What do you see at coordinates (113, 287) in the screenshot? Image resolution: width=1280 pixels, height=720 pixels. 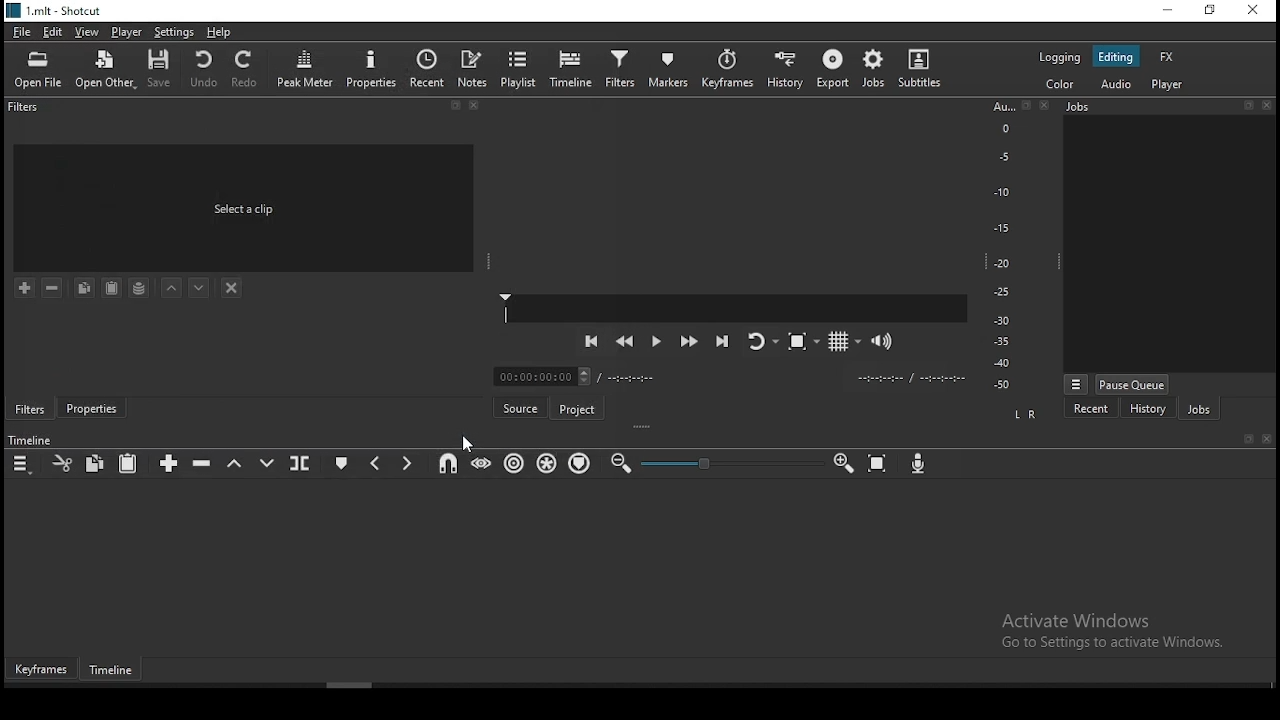 I see `paste a filter` at bounding box center [113, 287].